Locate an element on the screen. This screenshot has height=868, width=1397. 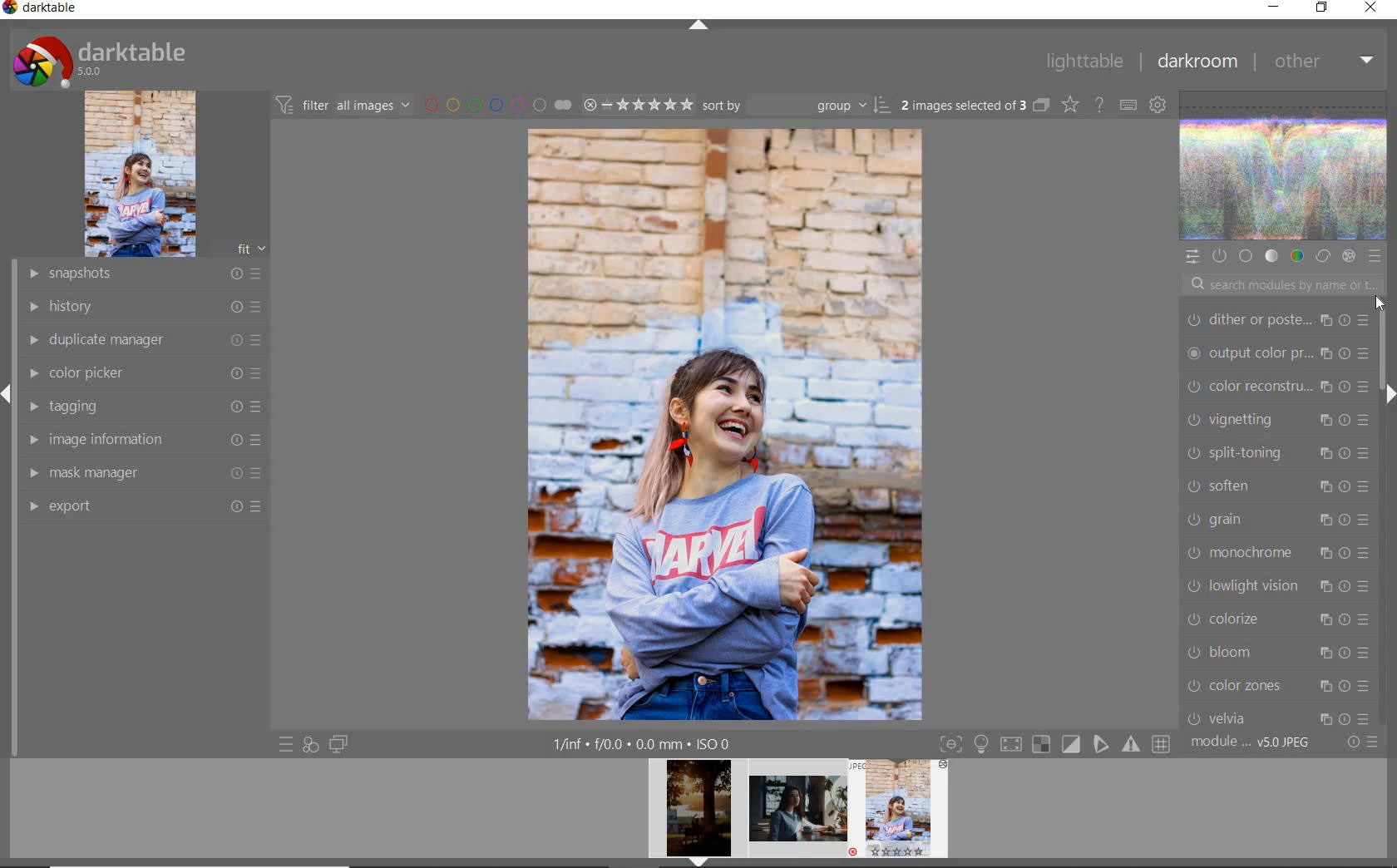
quick access to preset is located at coordinates (287, 745).